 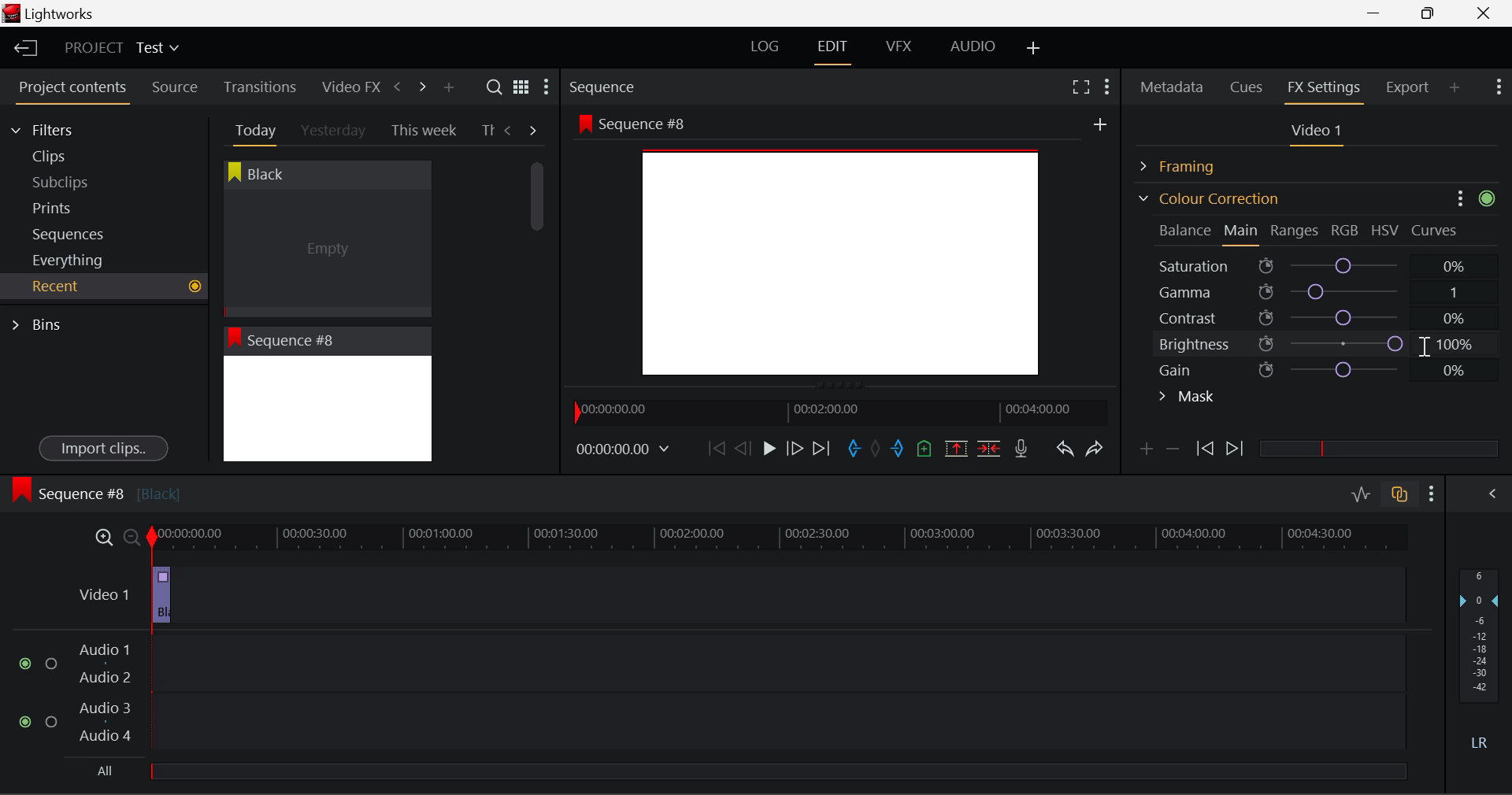 I want to click on Gamma, so click(x=1320, y=292).